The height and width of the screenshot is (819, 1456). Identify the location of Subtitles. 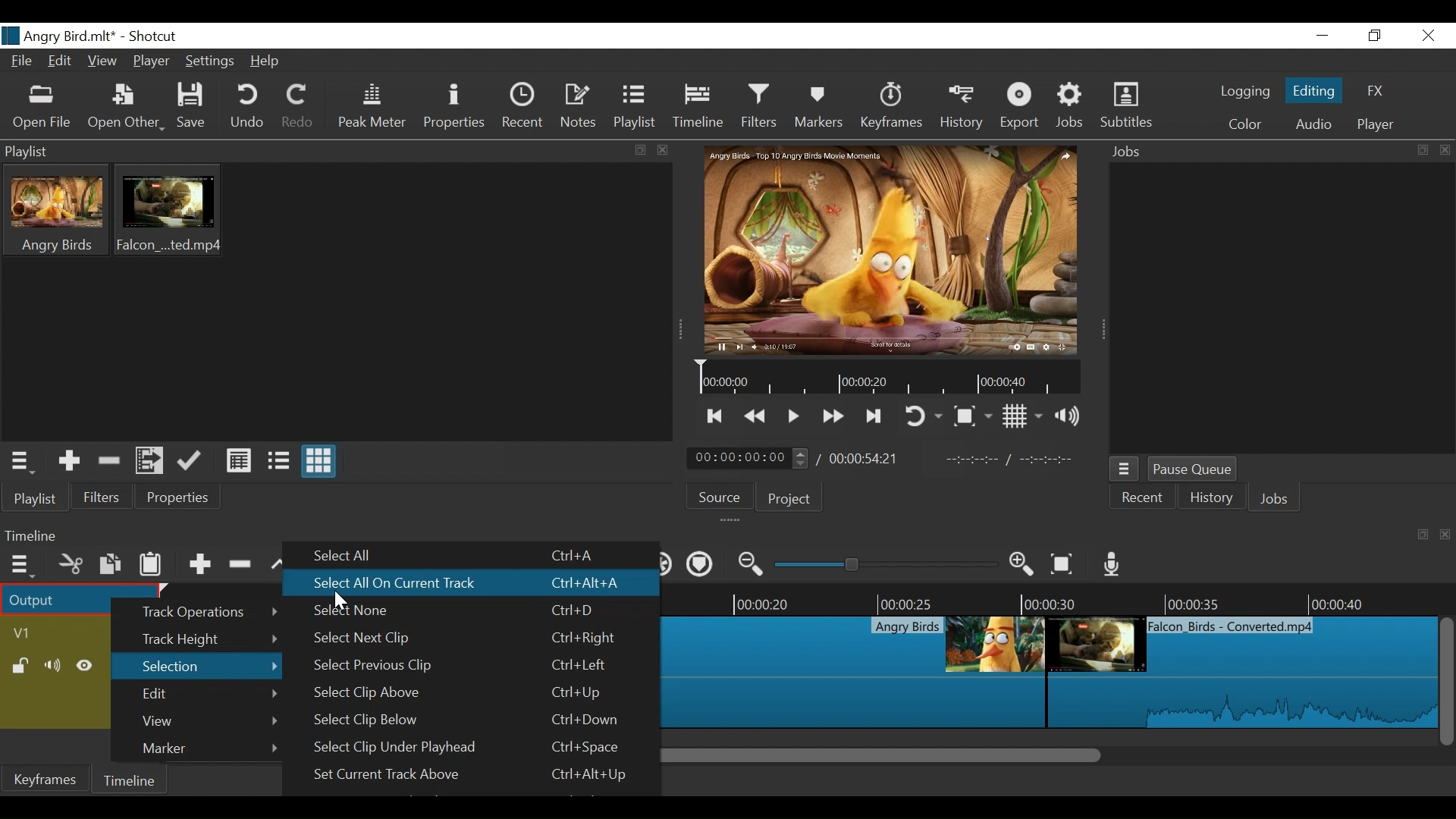
(1127, 108).